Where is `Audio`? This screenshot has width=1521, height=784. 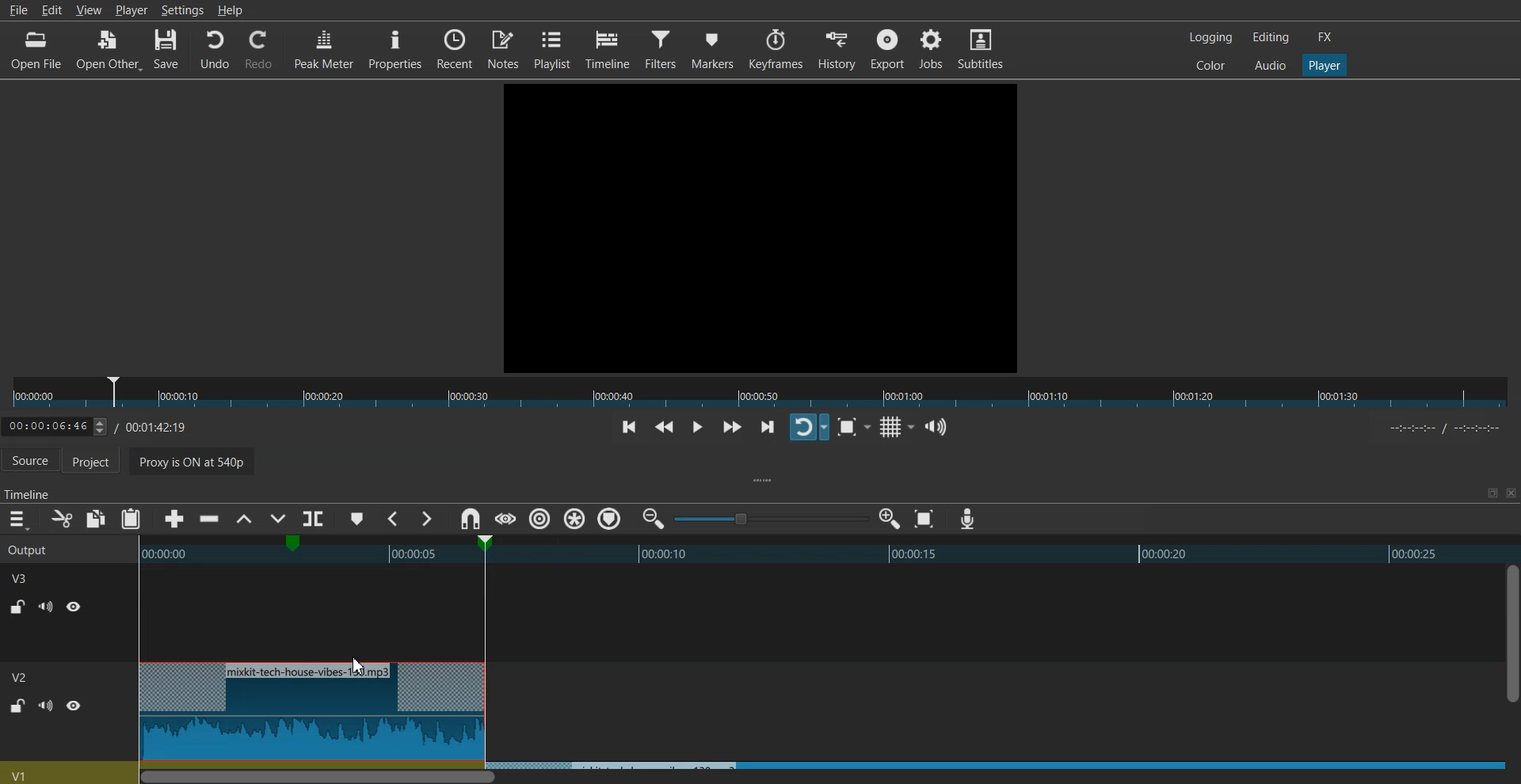 Audio is located at coordinates (1270, 64).